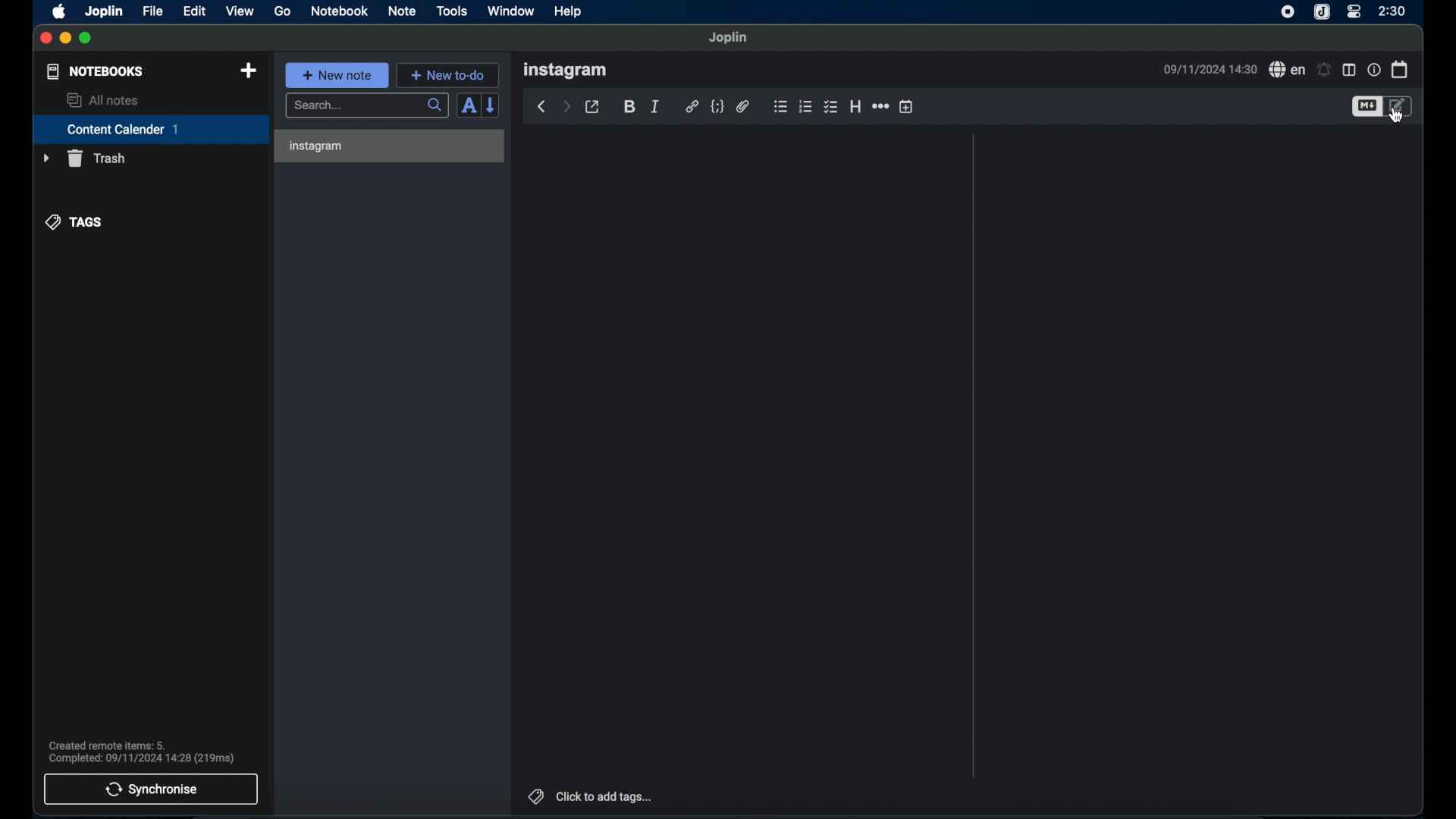 The width and height of the screenshot is (1456, 819). Describe the element at coordinates (974, 456) in the screenshot. I see `divider` at that location.